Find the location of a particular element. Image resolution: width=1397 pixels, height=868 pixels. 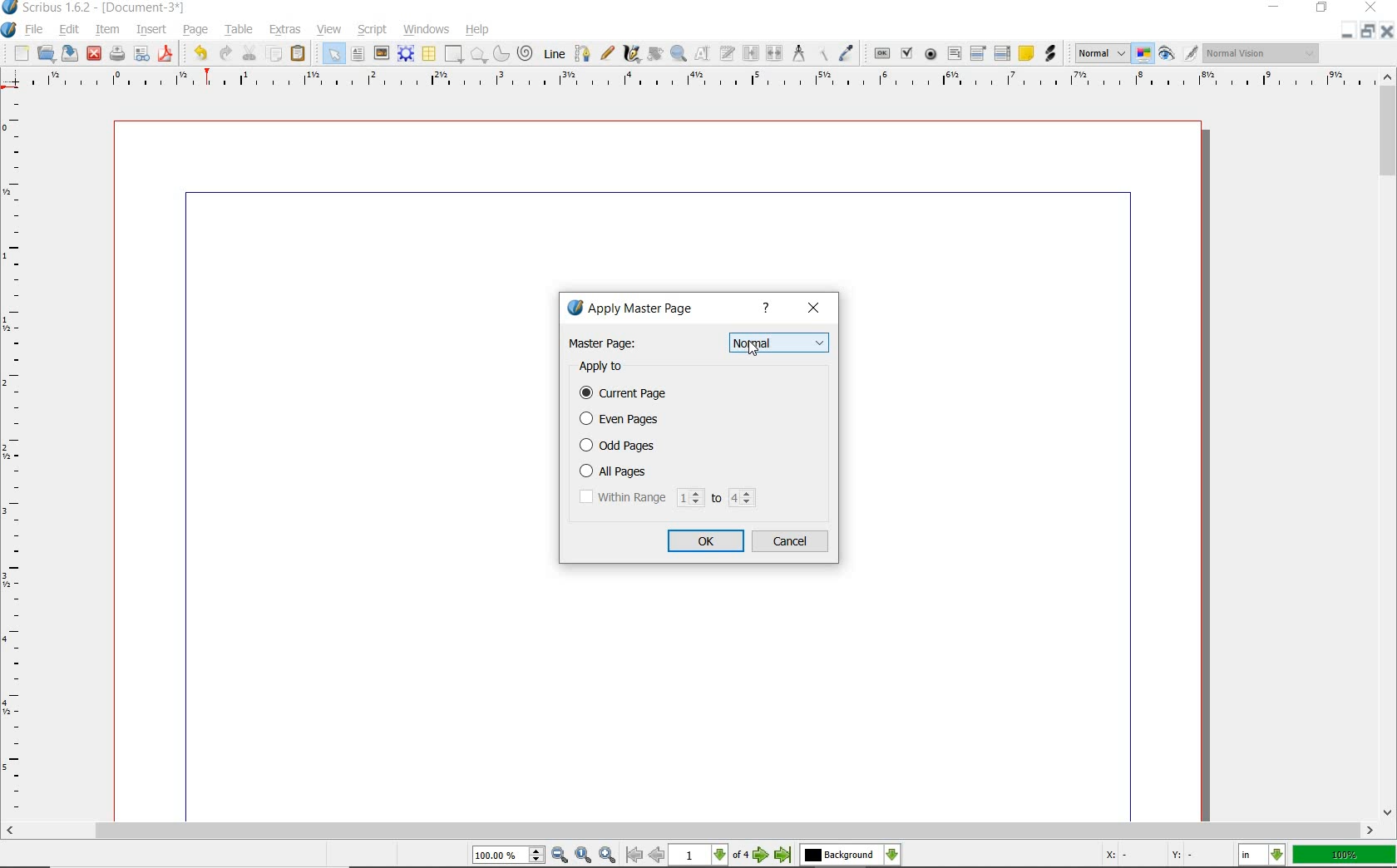

odd pages is located at coordinates (664, 445).